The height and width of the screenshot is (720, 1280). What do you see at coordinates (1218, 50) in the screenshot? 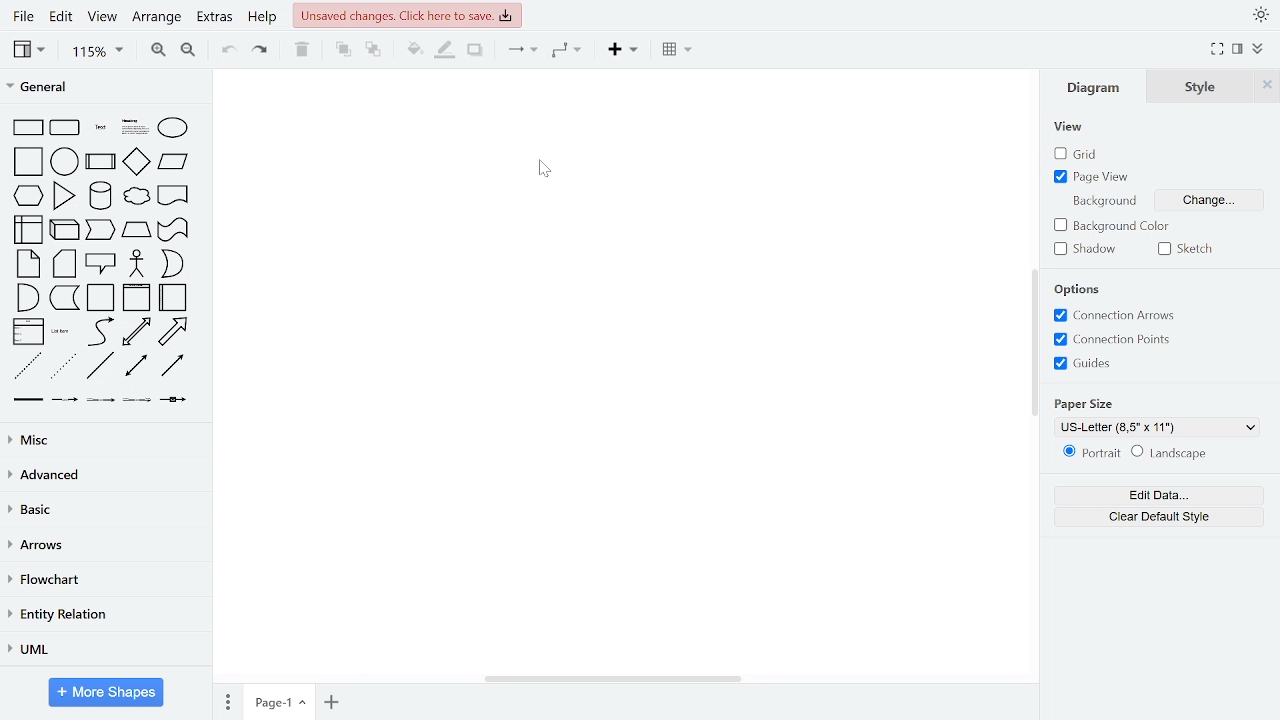
I see `full screen` at bounding box center [1218, 50].